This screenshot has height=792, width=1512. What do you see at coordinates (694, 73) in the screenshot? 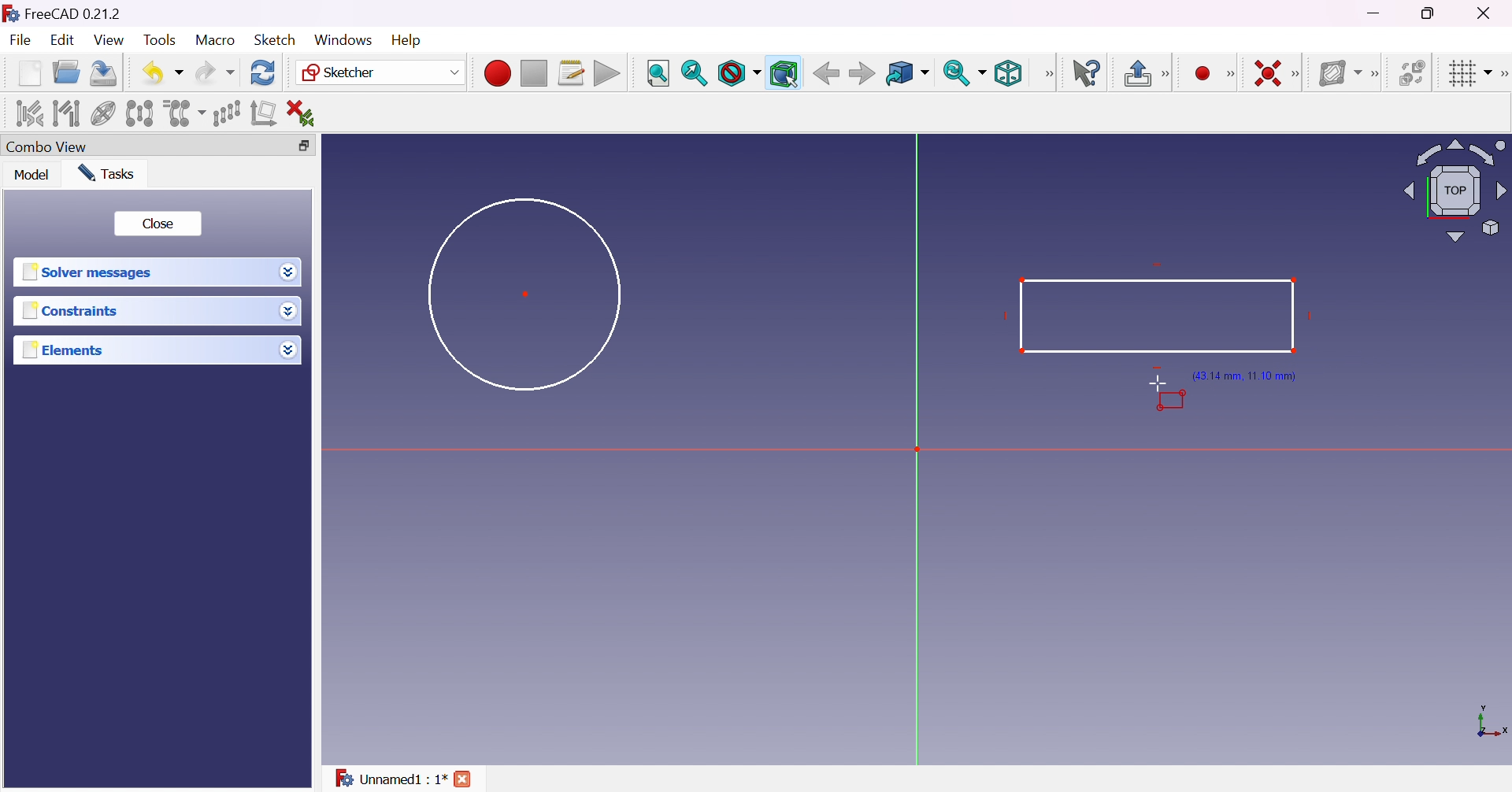
I see `Fit selection` at bounding box center [694, 73].